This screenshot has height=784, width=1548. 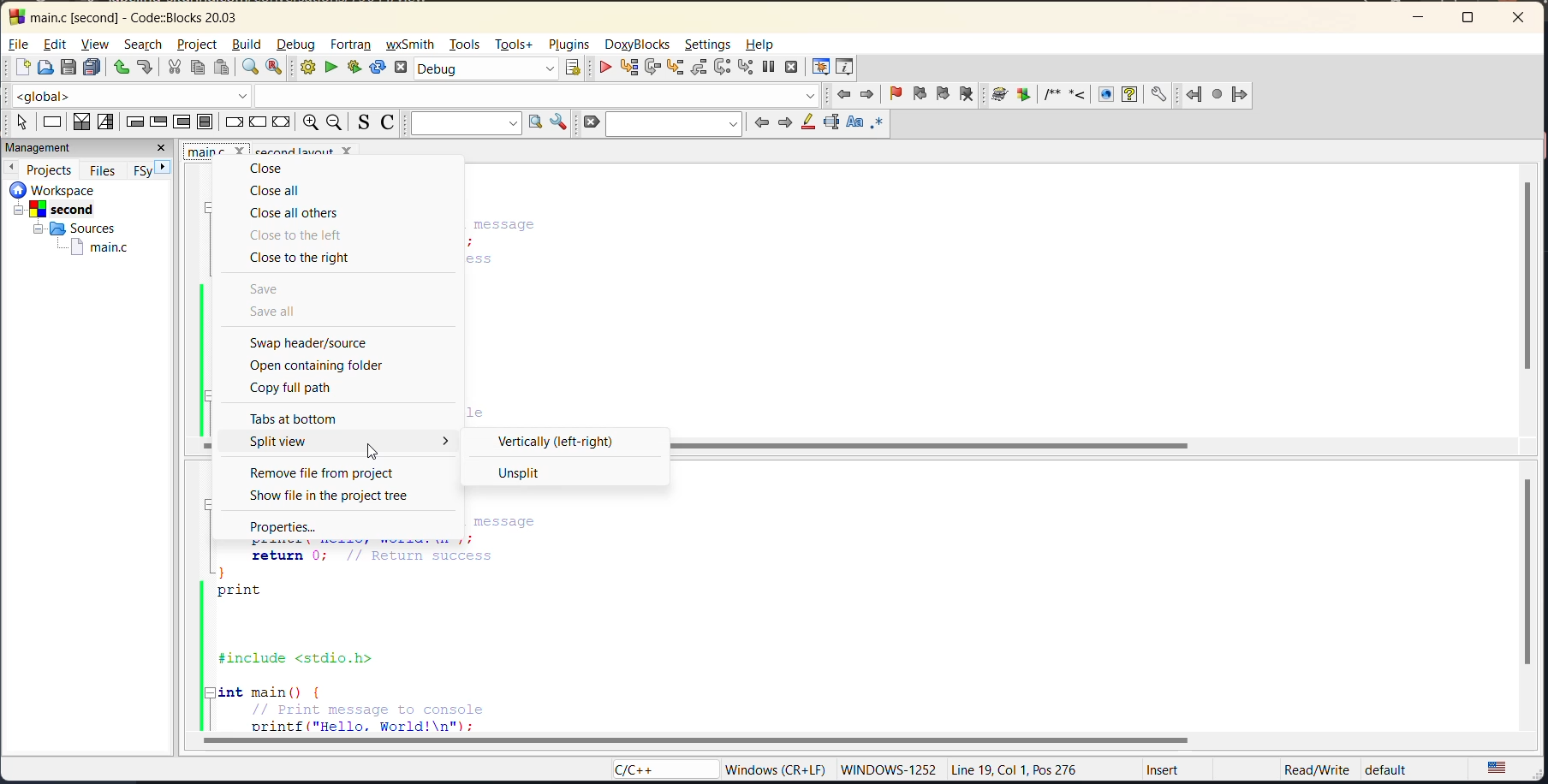 What do you see at coordinates (808, 123) in the screenshot?
I see `highlight` at bounding box center [808, 123].